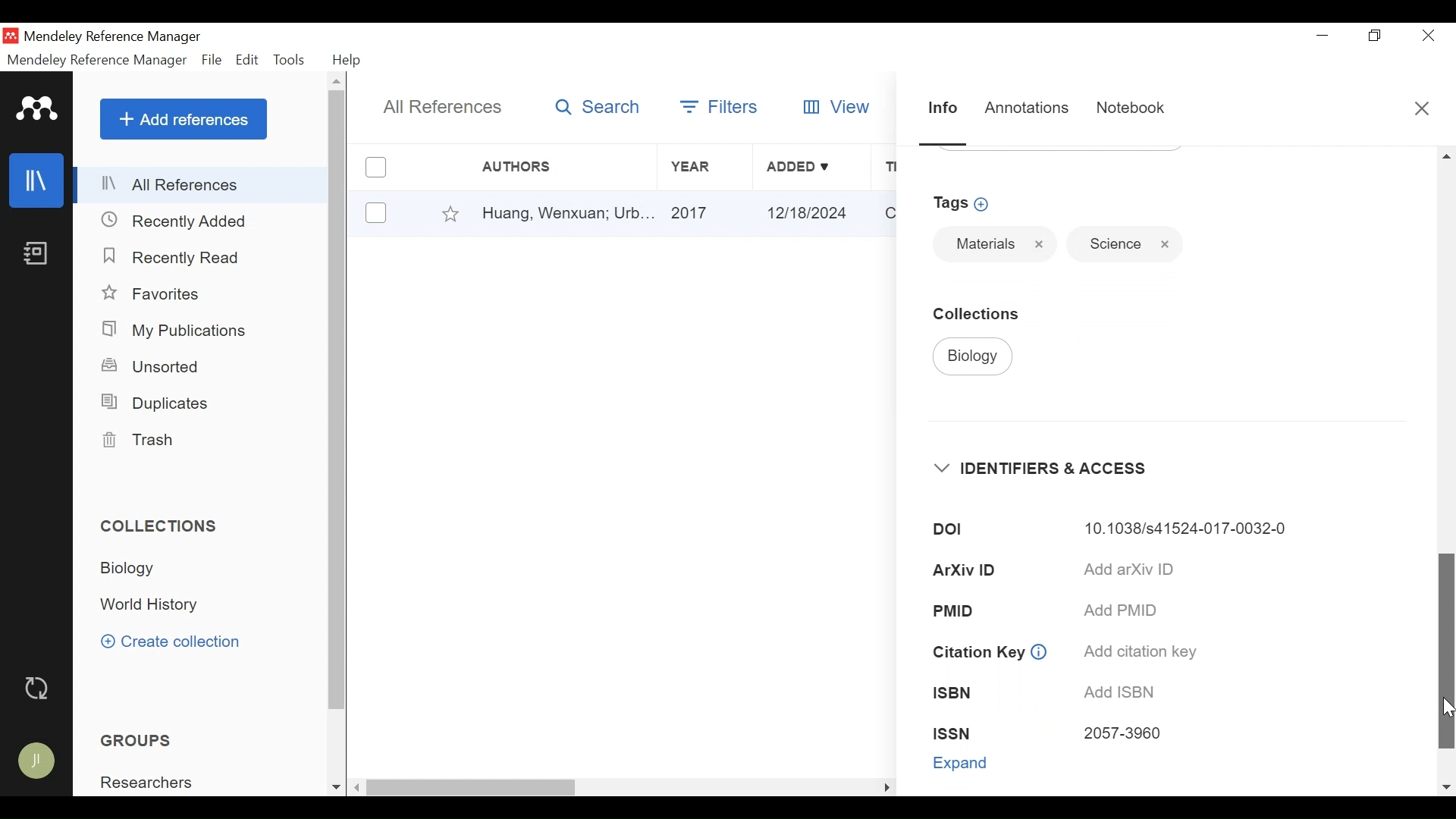  What do you see at coordinates (947, 530) in the screenshot?
I see `DOI` at bounding box center [947, 530].